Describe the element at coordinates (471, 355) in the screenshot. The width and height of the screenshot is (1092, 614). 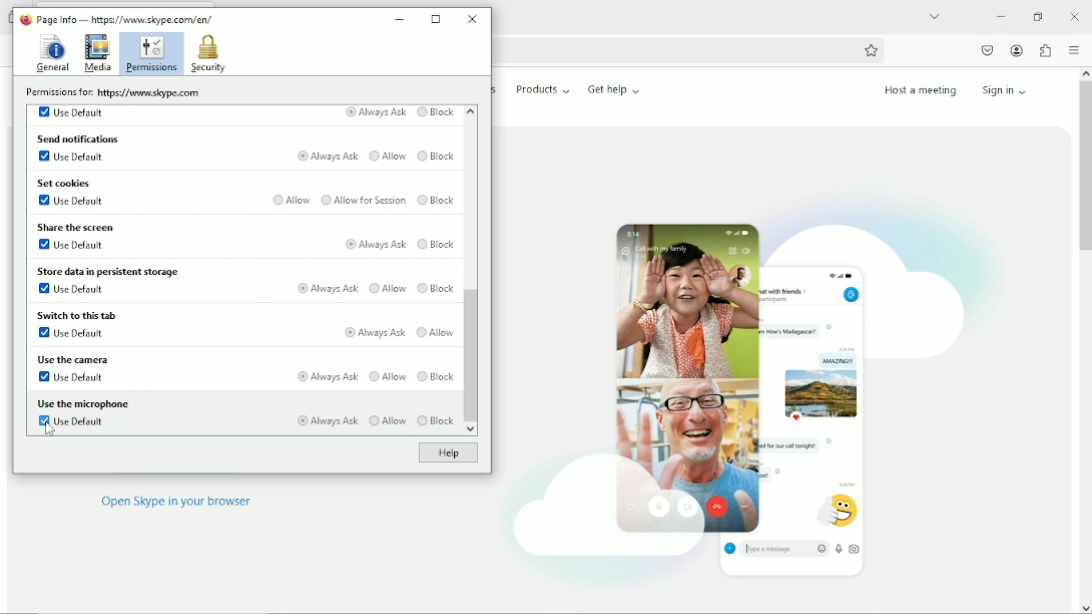
I see `Vertical scrollbar` at that location.